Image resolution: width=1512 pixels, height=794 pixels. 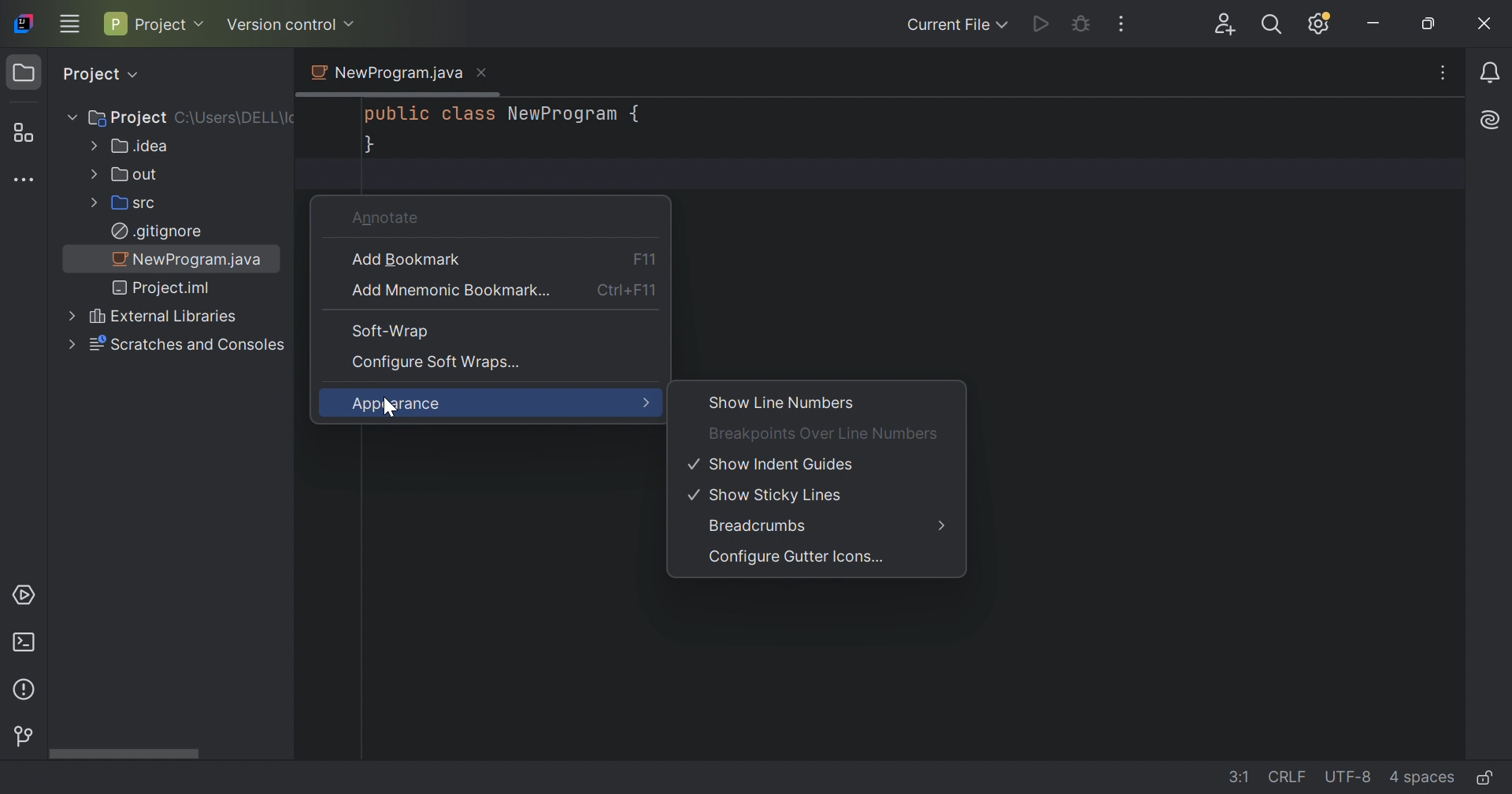 What do you see at coordinates (450, 291) in the screenshot?
I see `Add mneumonic Bookmark...` at bounding box center [450, 291].